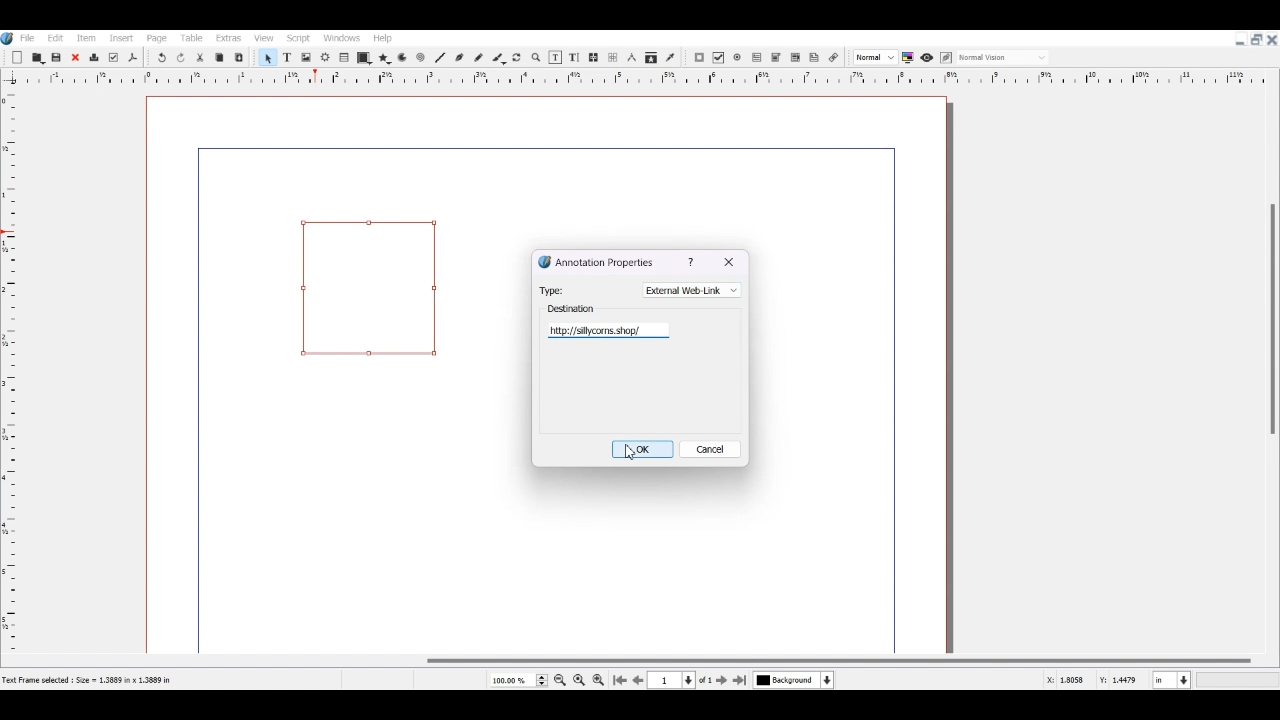  Describe the element at coordinates (326, 57) in the screenshot. I see `Render frame` at that location.